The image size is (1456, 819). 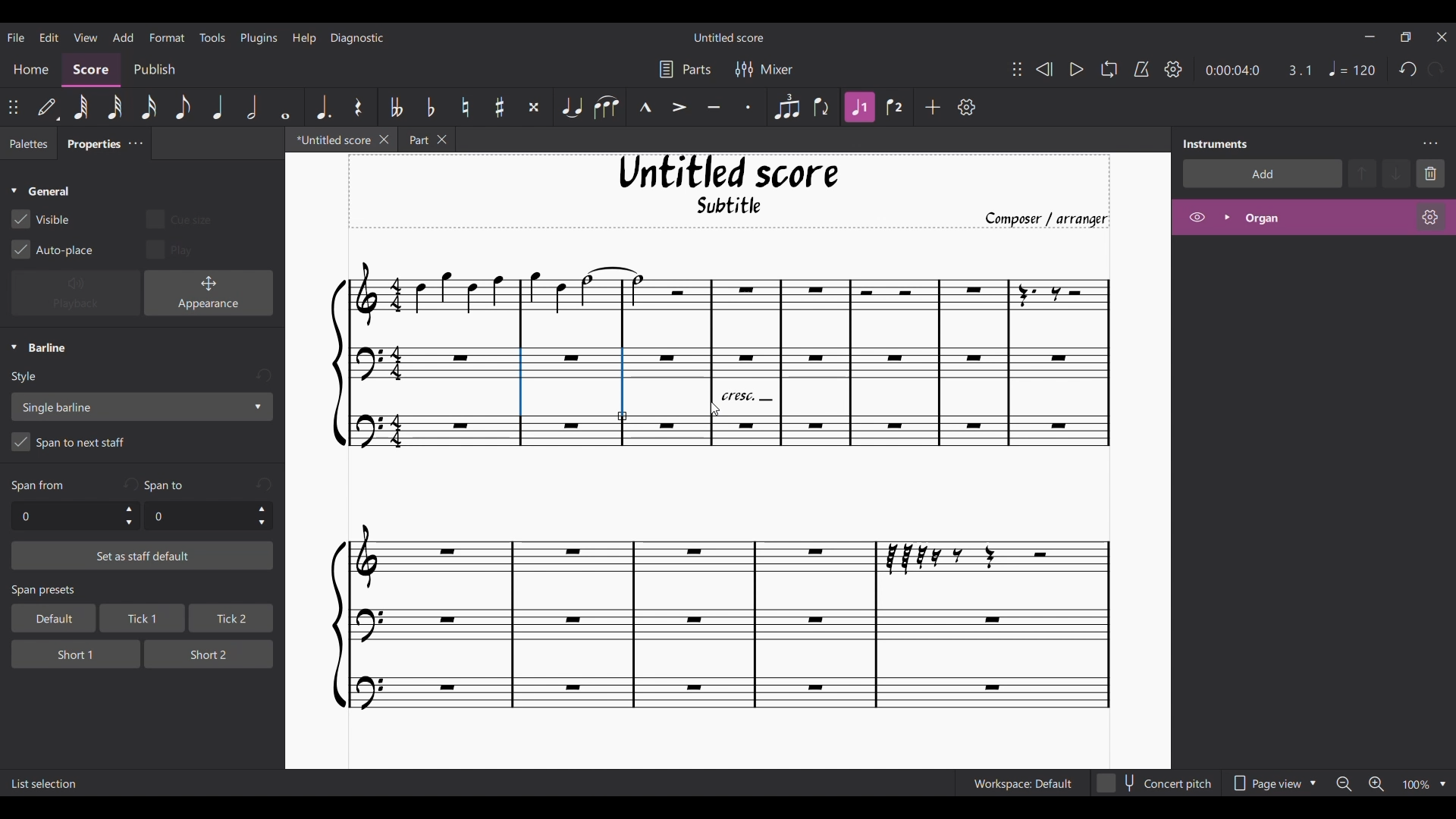 What do you see at coordinates (76, 293) in the screenshot?
I see `Playback` at bounding box center [76, 293].